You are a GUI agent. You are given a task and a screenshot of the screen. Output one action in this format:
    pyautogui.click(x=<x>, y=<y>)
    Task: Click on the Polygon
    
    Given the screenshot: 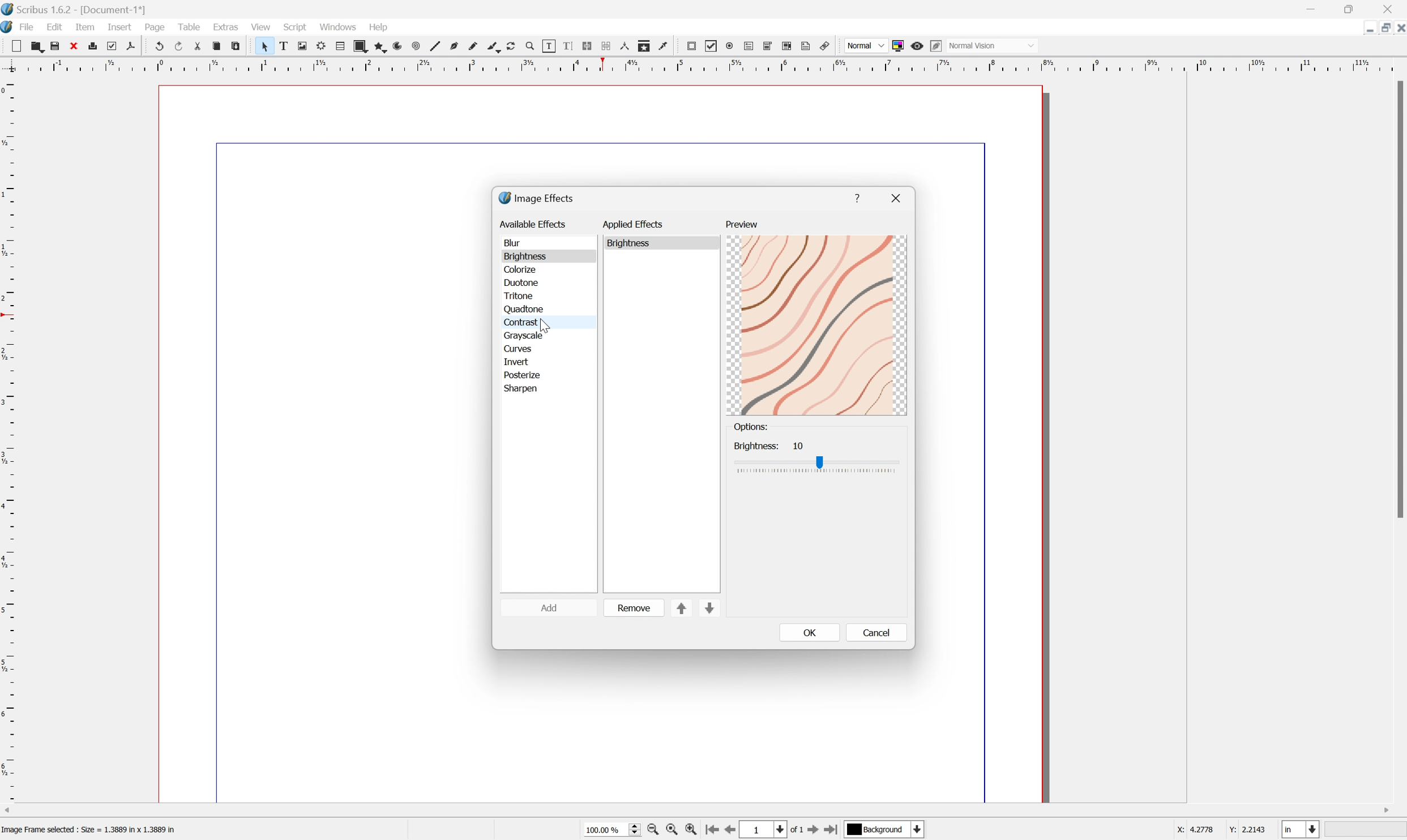 What is the action you would take?
    pyautogui.click(x=381, y=45)
    